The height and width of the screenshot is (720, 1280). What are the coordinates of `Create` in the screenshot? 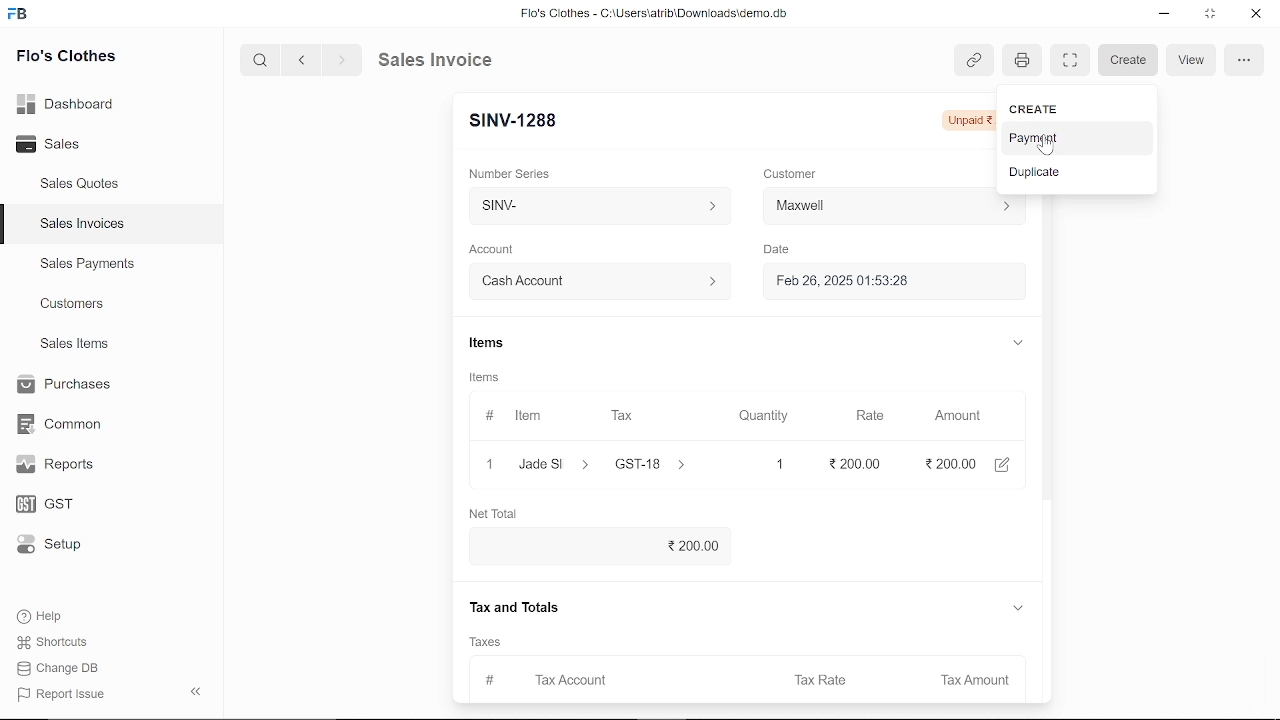 It's located at (1129, 61).